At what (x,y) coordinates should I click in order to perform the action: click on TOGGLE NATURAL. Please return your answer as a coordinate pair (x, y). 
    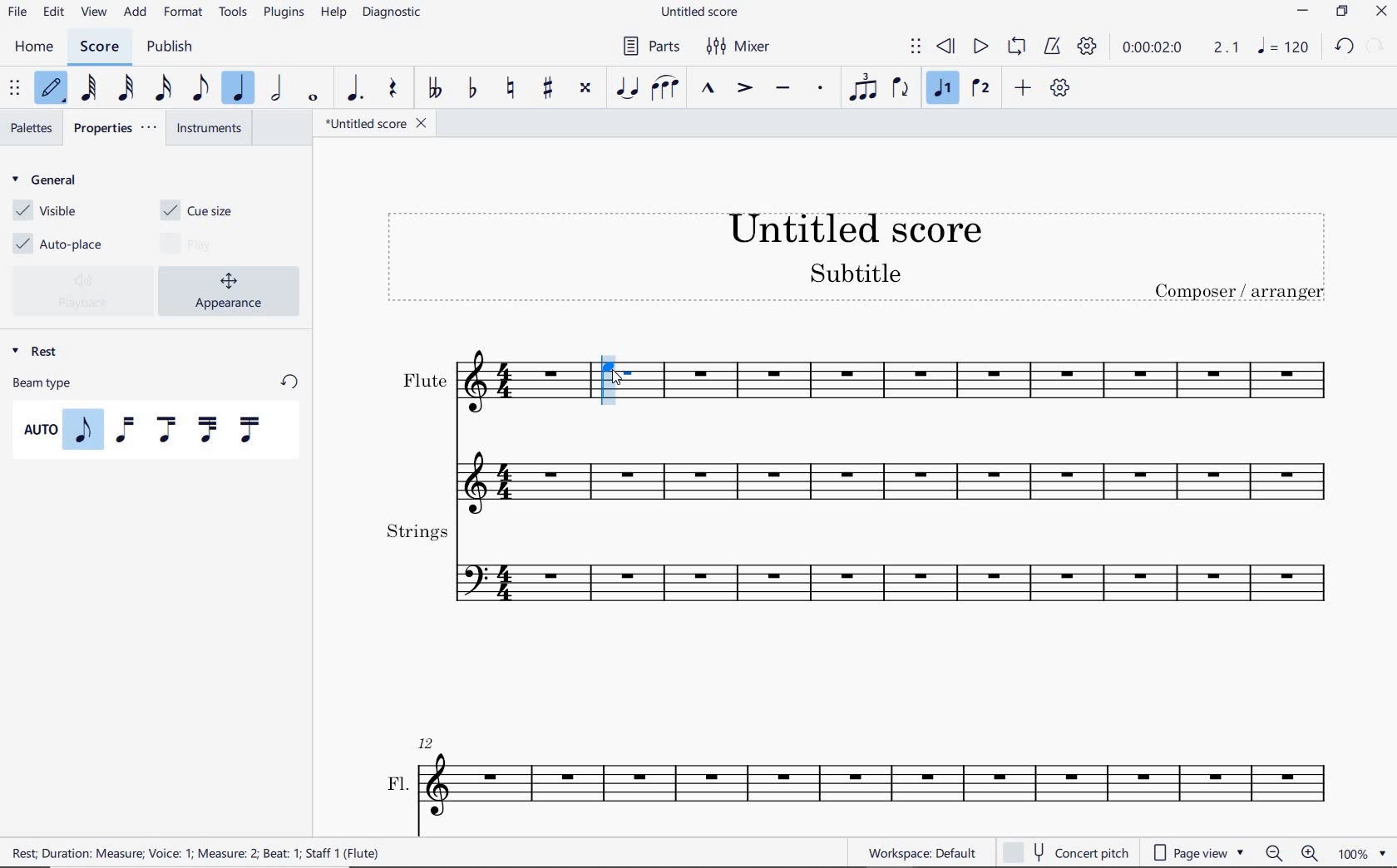
    Looking at the image, I should click on (512, 87).